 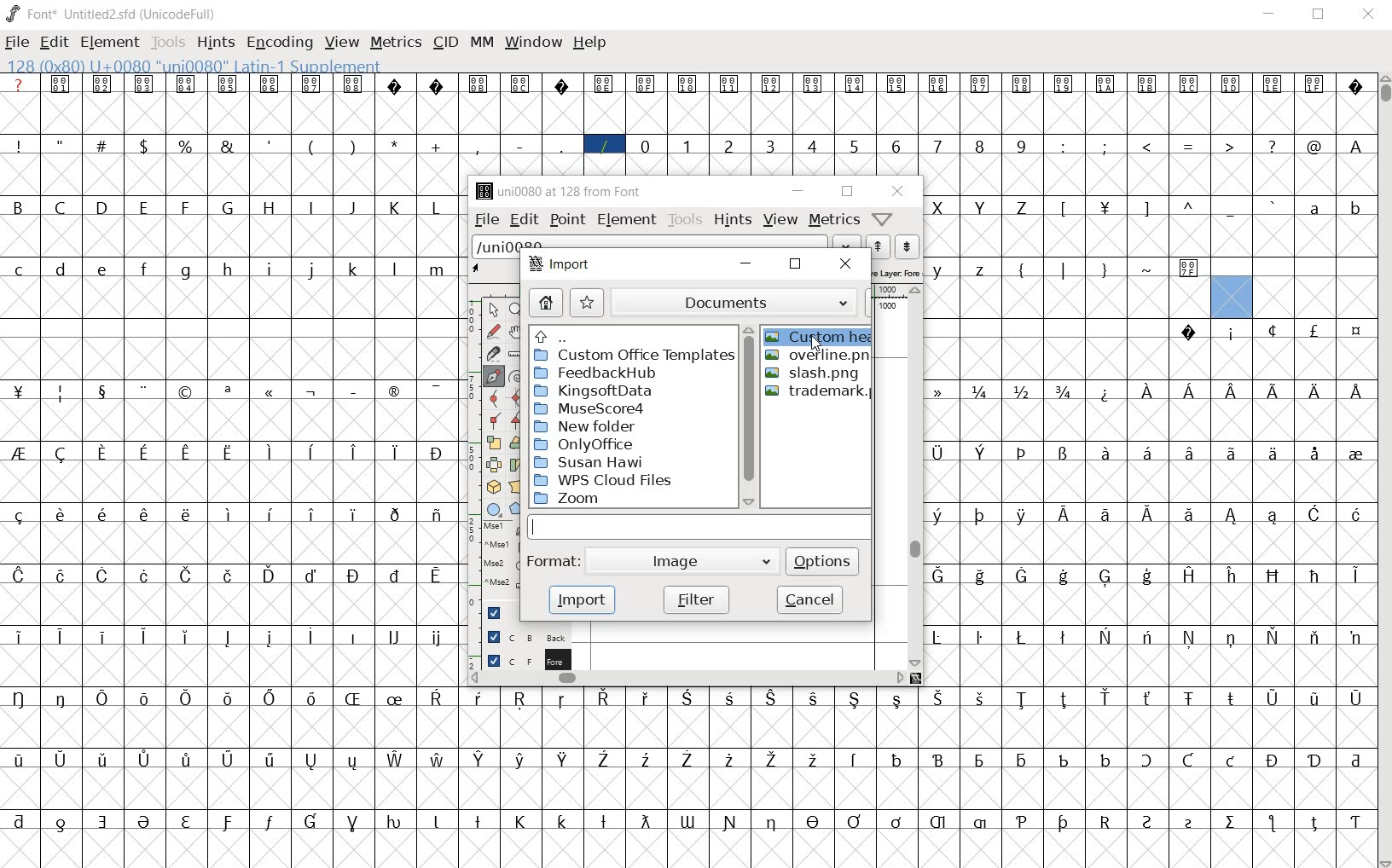 What do you see at coordinates (1105, 209) in the screenshot?
I see `glyph` at bounding box center [1105, 209].